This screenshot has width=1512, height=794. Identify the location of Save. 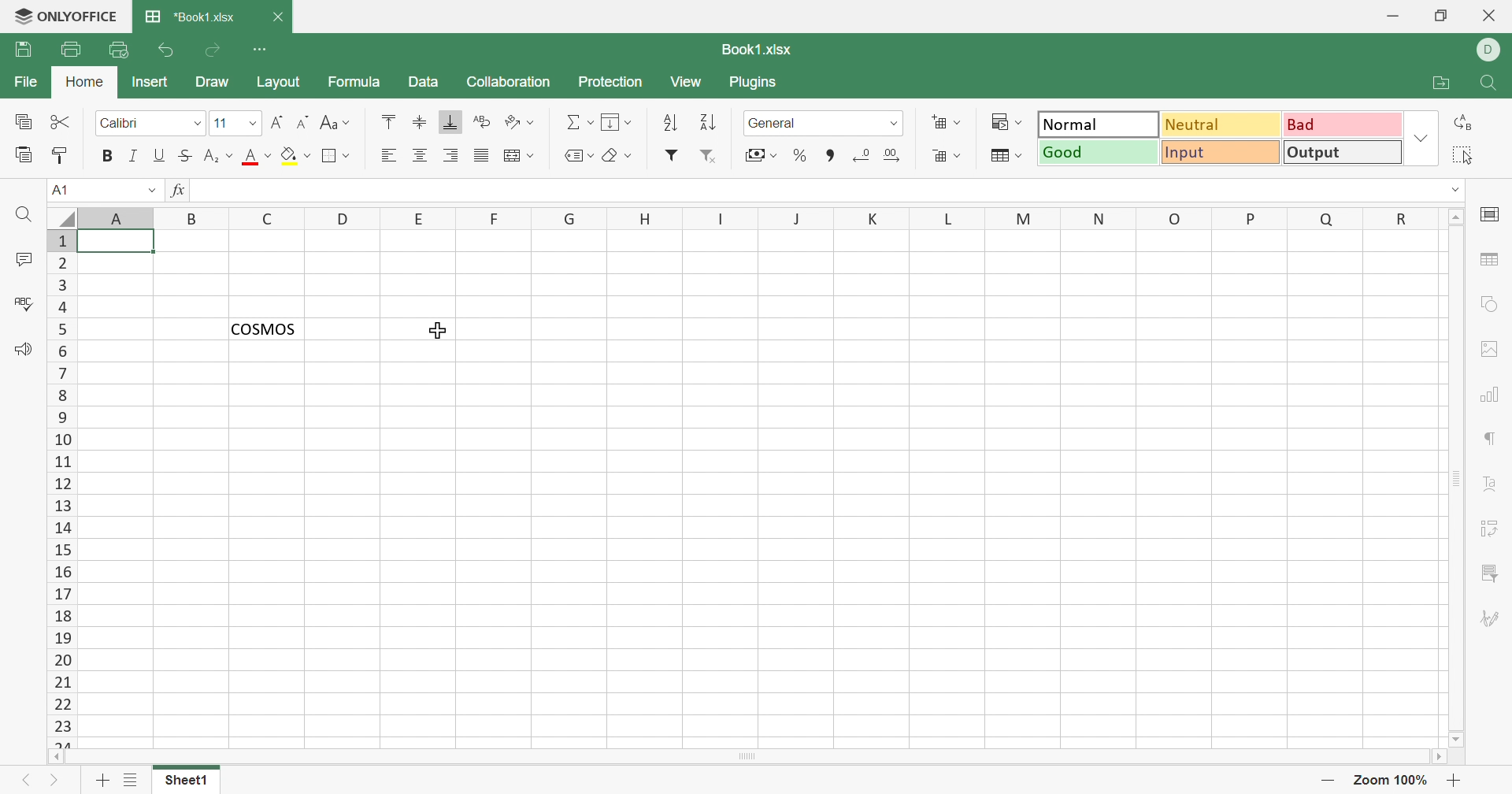
(22, 50).